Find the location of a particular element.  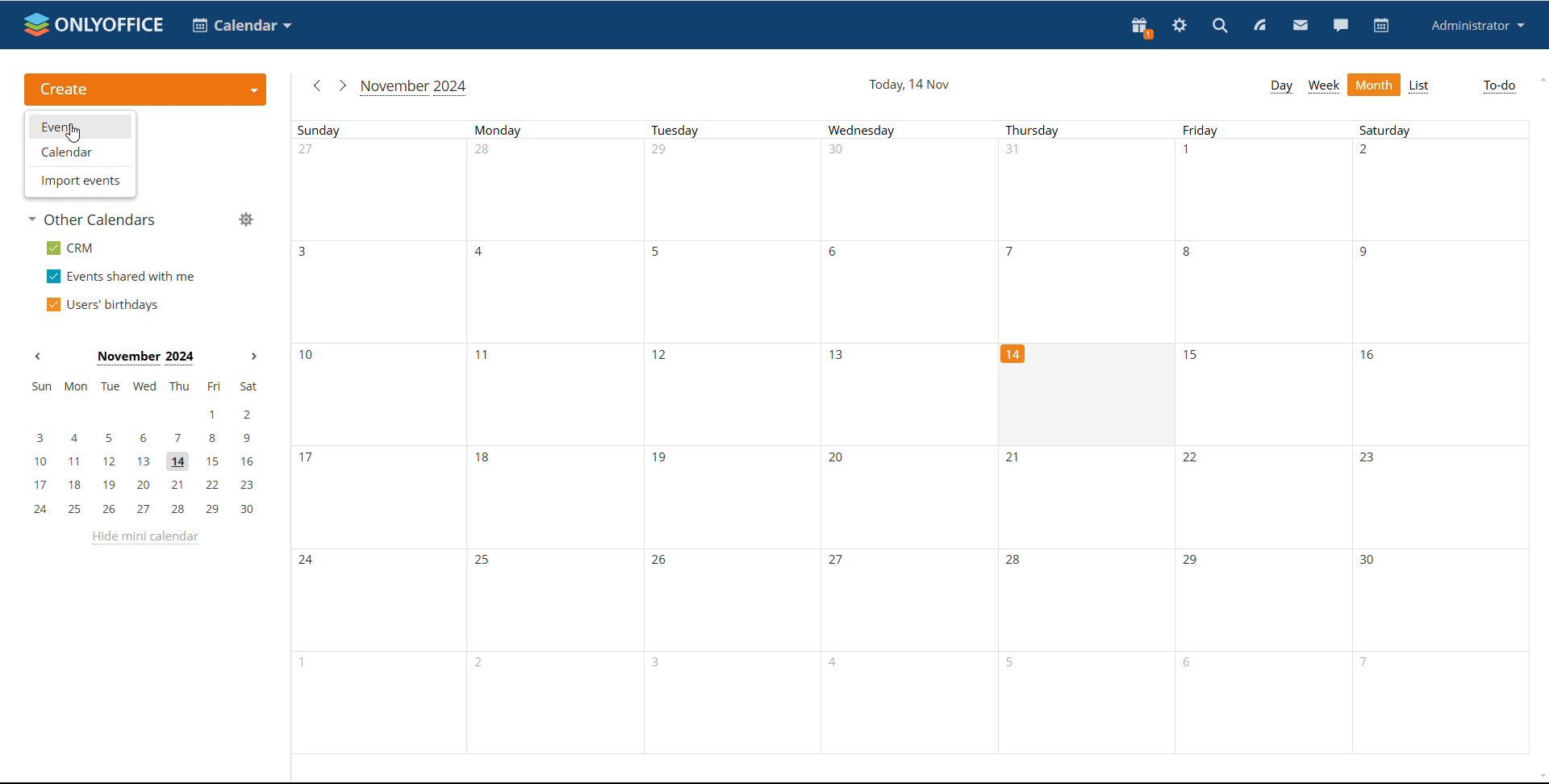

create is located at coordinates (145, 90).